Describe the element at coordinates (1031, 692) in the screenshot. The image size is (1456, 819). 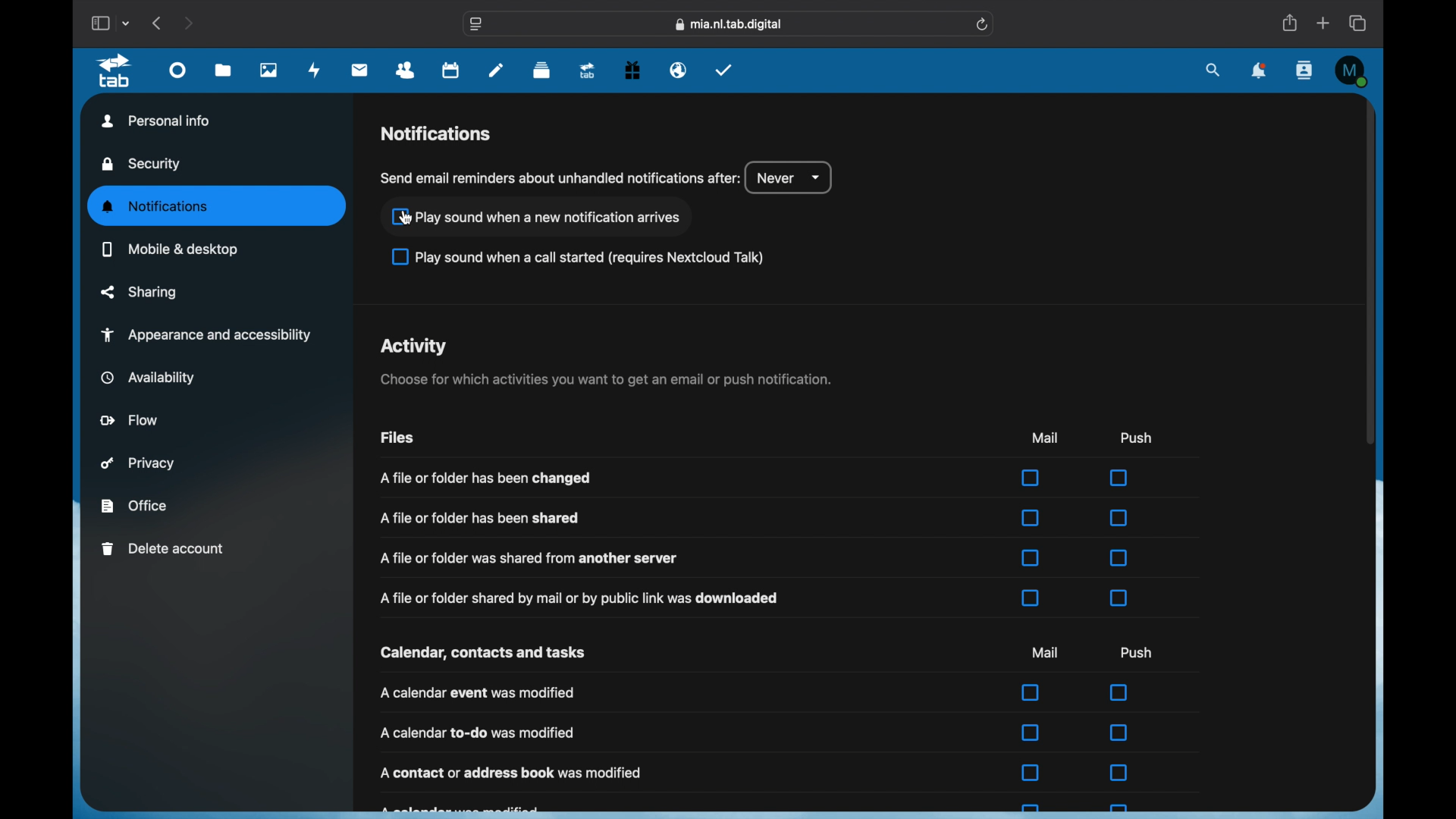
I see `checkbox` at that location.